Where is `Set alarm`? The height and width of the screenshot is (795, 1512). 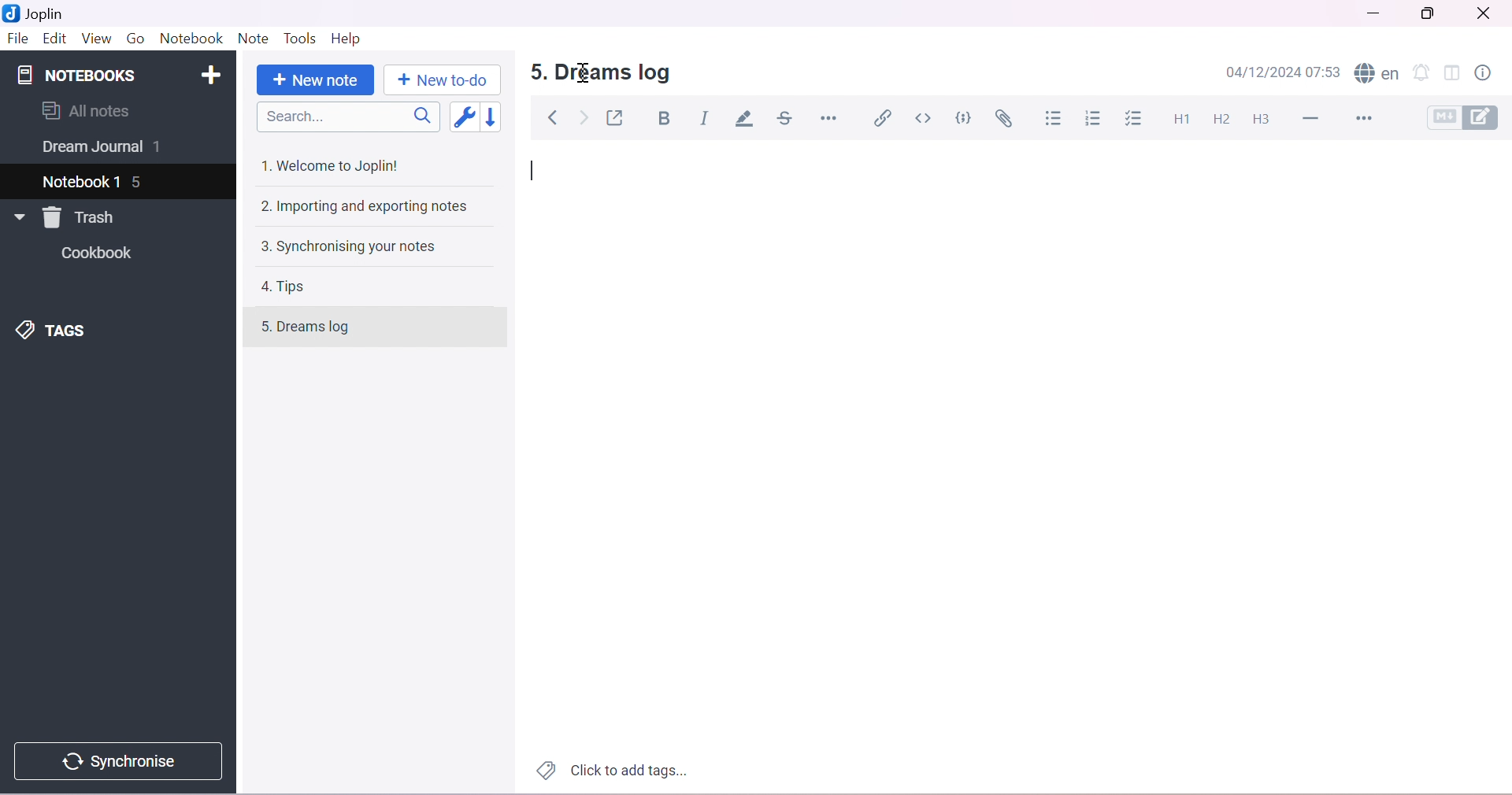
Set alarm is located at coordinates (1424, 73).